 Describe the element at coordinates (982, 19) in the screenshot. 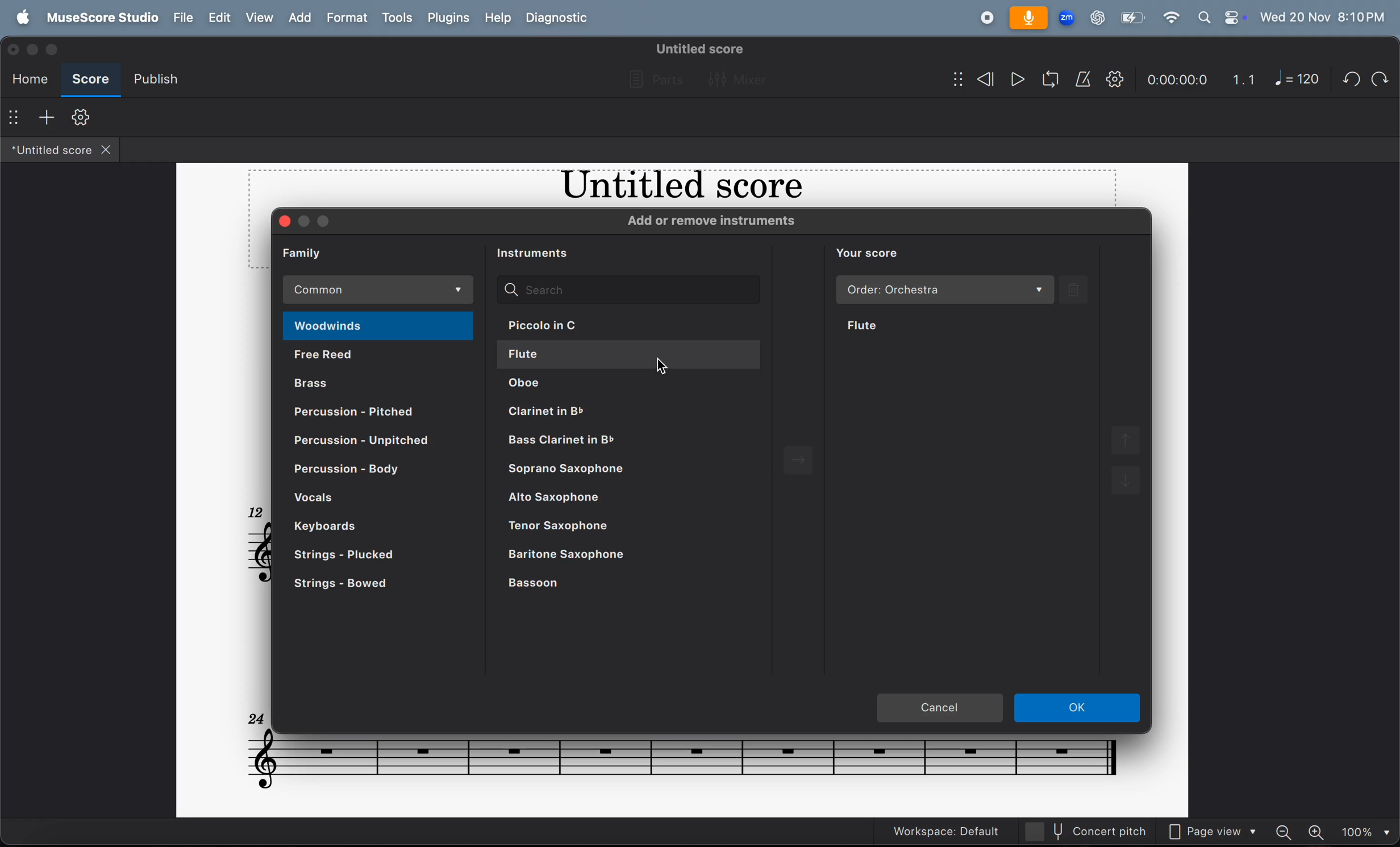

I see `record` at that location.